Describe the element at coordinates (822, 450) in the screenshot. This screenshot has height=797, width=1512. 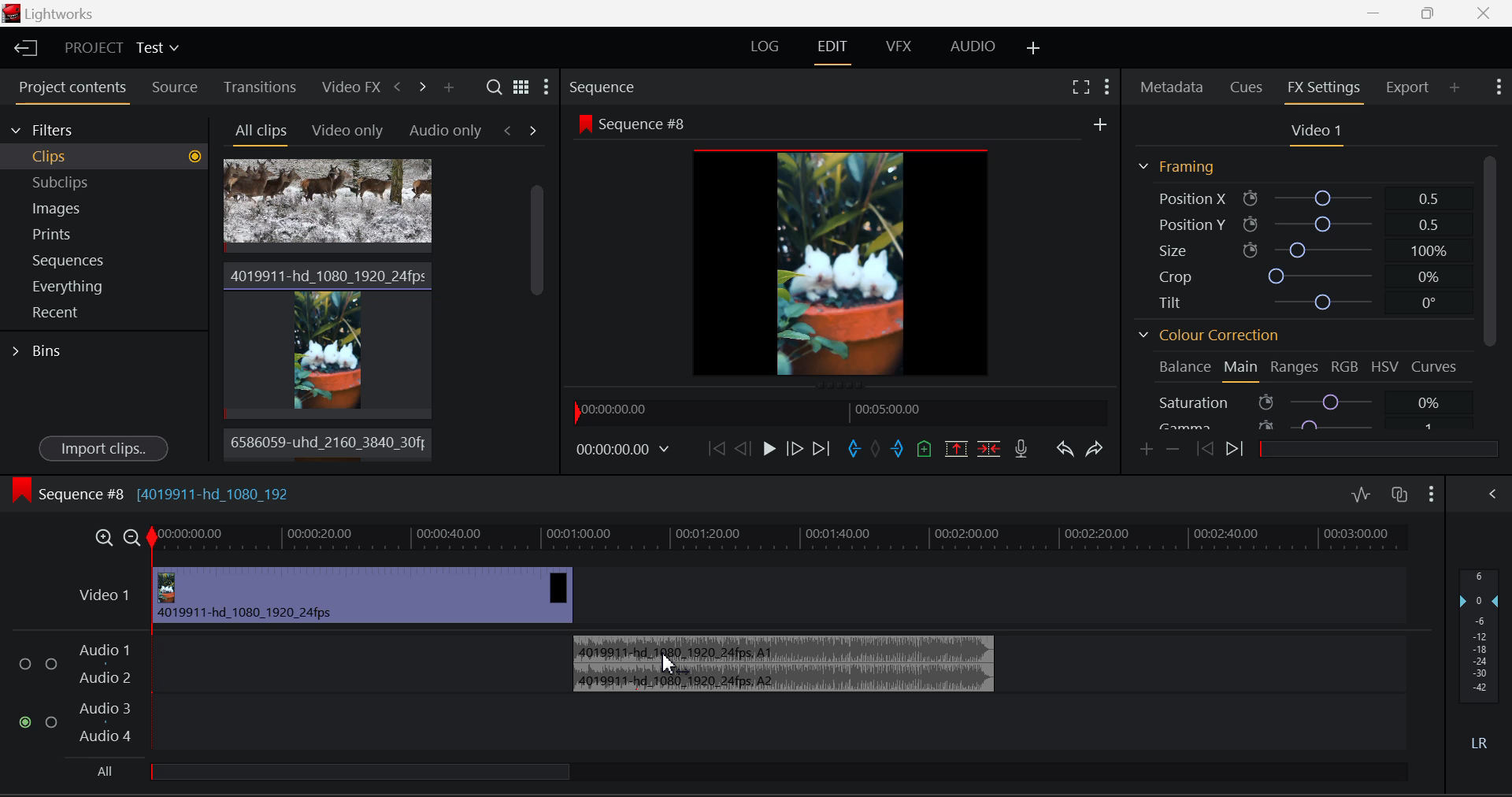
I see `To End` at that location.